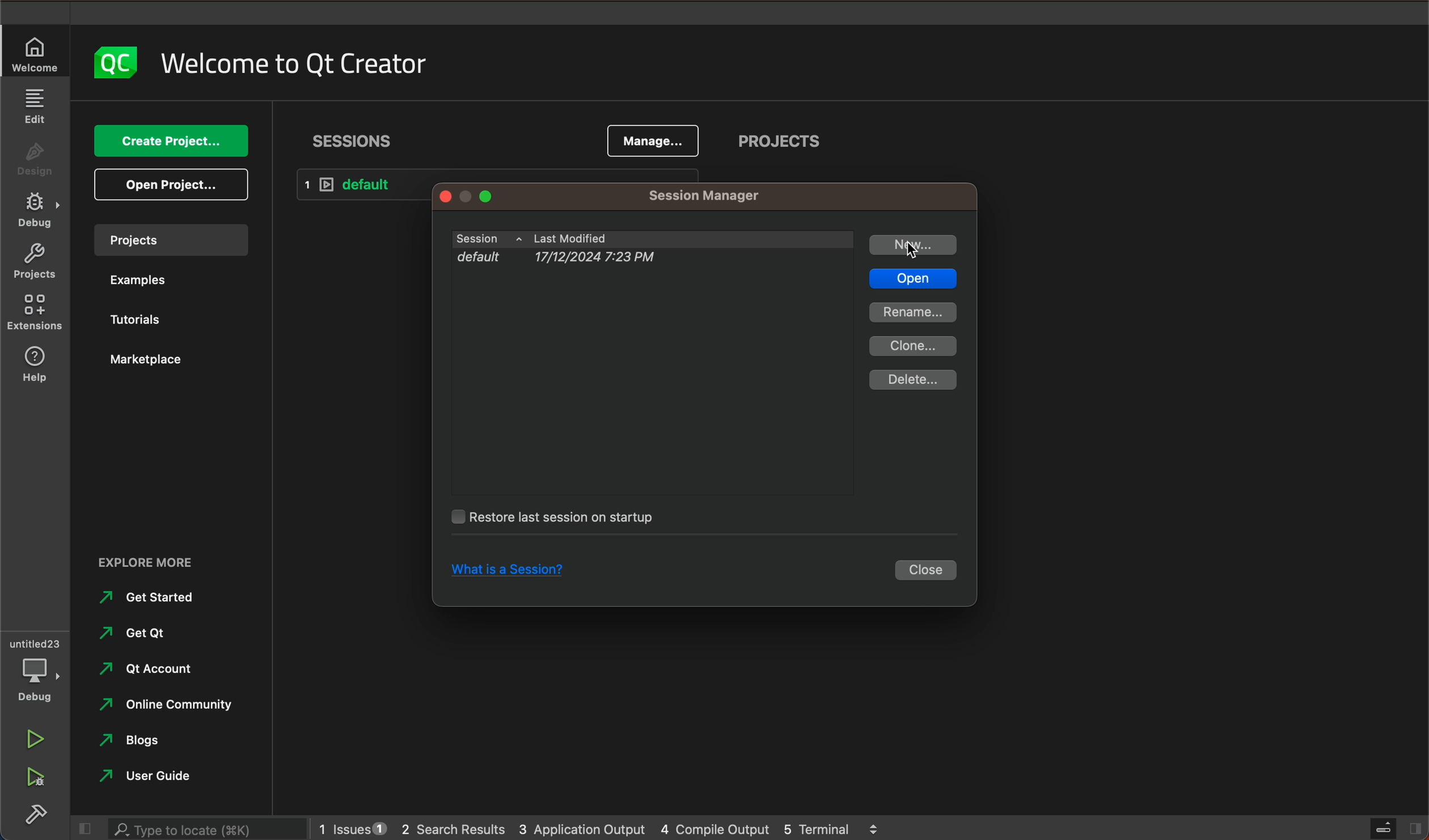 This screenshot has height=840, width=1429. What do you see at coordinates (203, 828) in the screenshot?
I see `searchbar` at bounding box center [203, 828].